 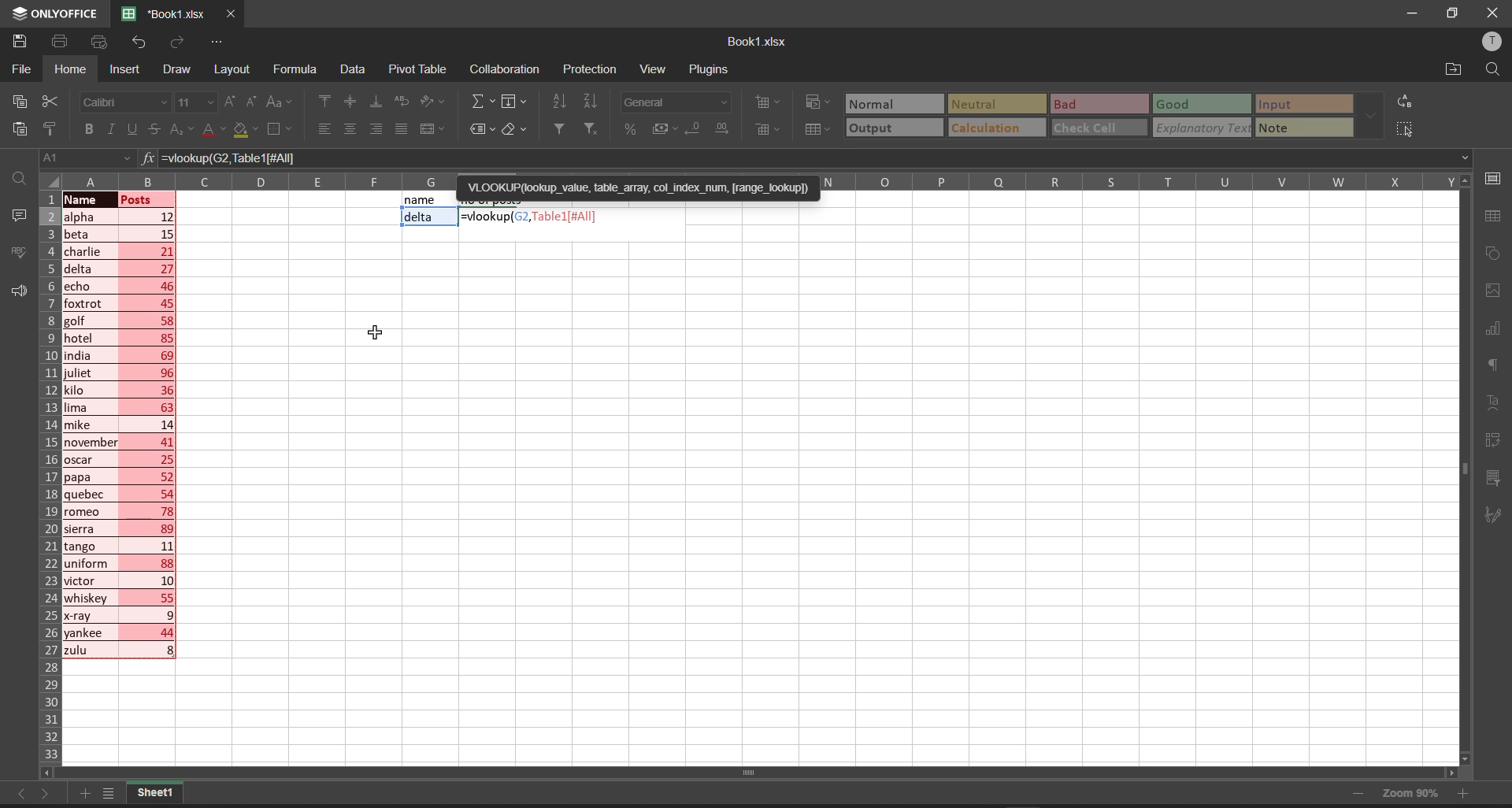 What do you see at coordinates (217, 40) in the screenshot?
I see `customize quick access tool bar` at bounding box center [217, 40].